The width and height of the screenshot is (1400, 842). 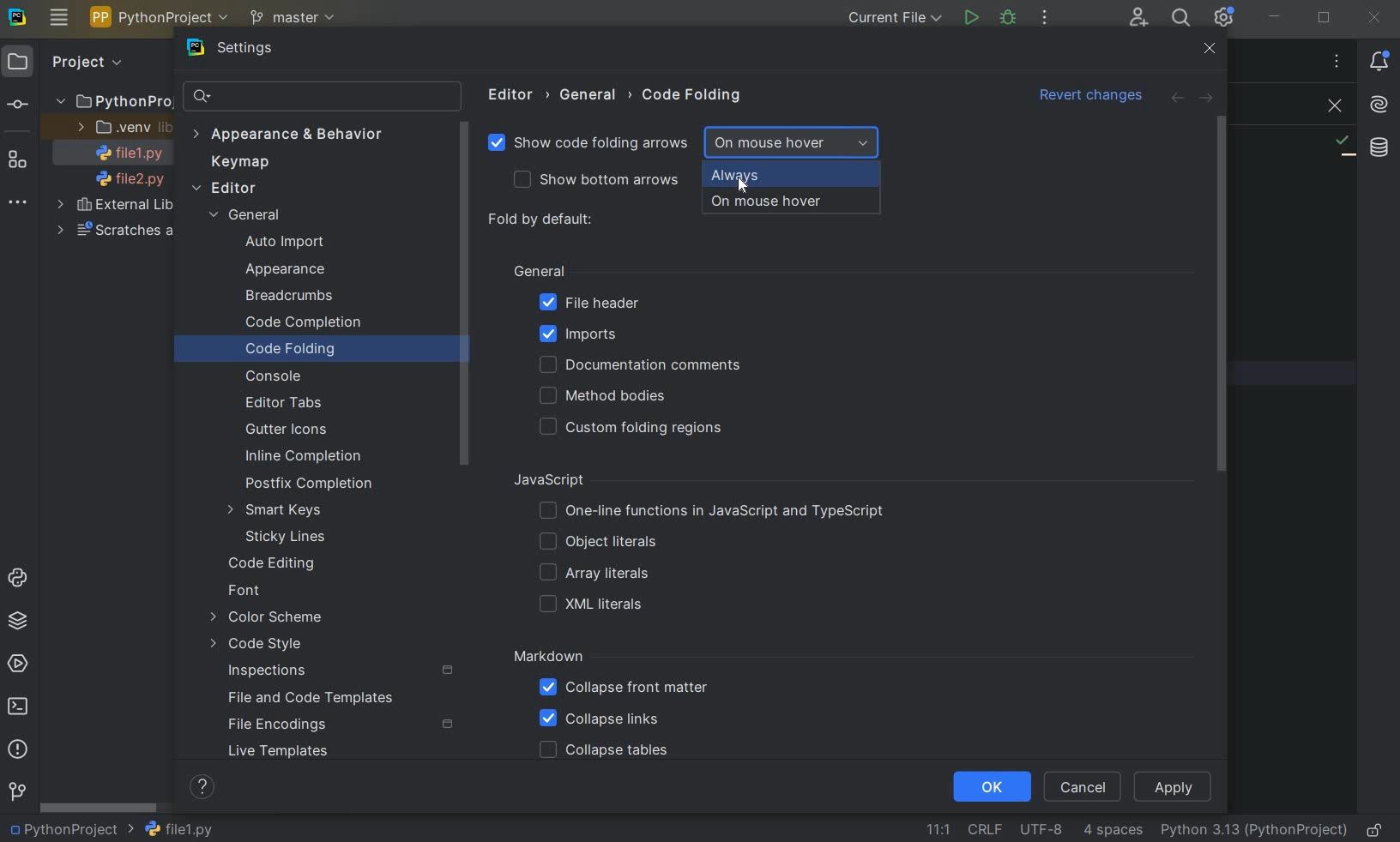 I want to click on CODE FOLDING, so click(x=311, y=351).